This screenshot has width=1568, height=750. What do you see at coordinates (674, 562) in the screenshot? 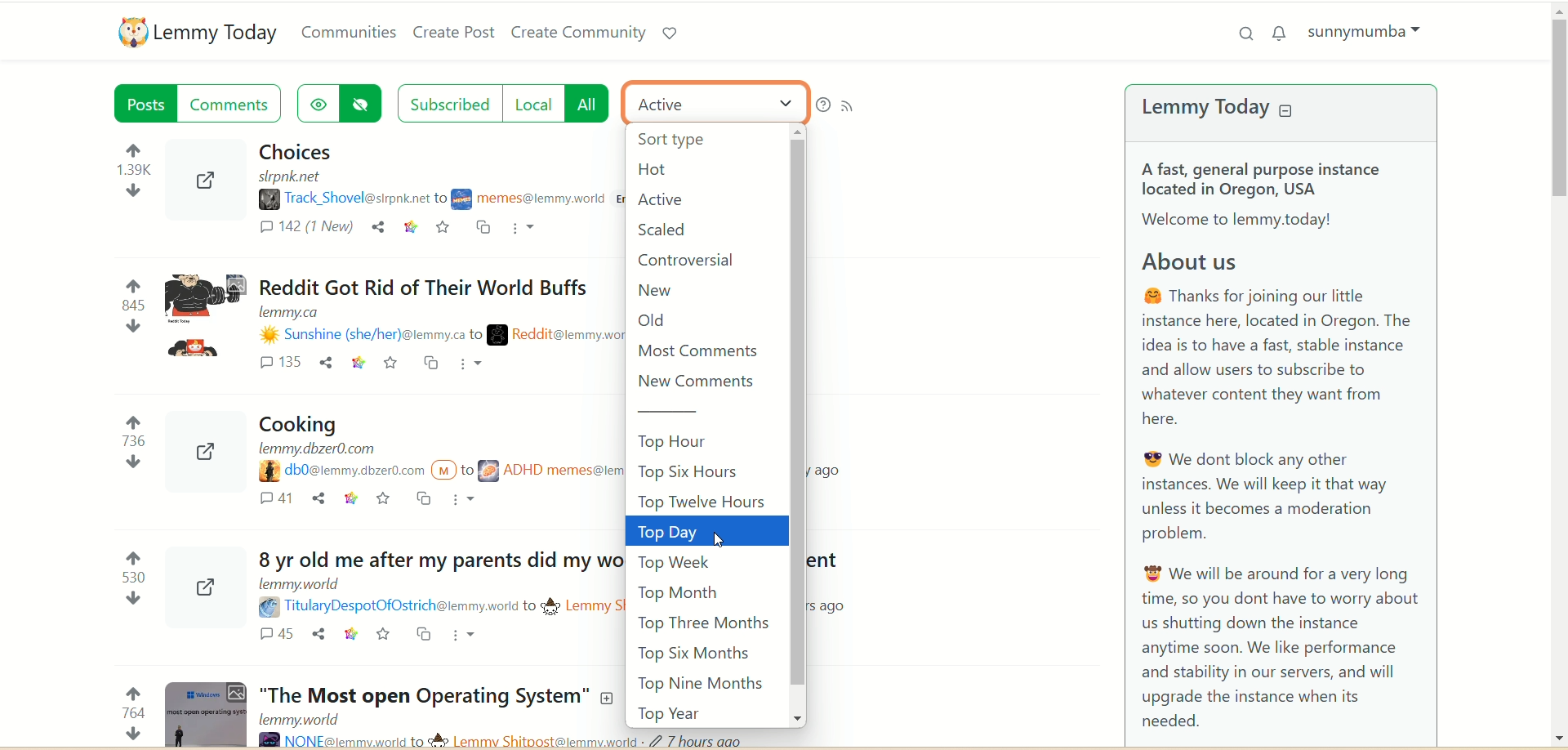
I see `top week` at bounding box center [674, 562].